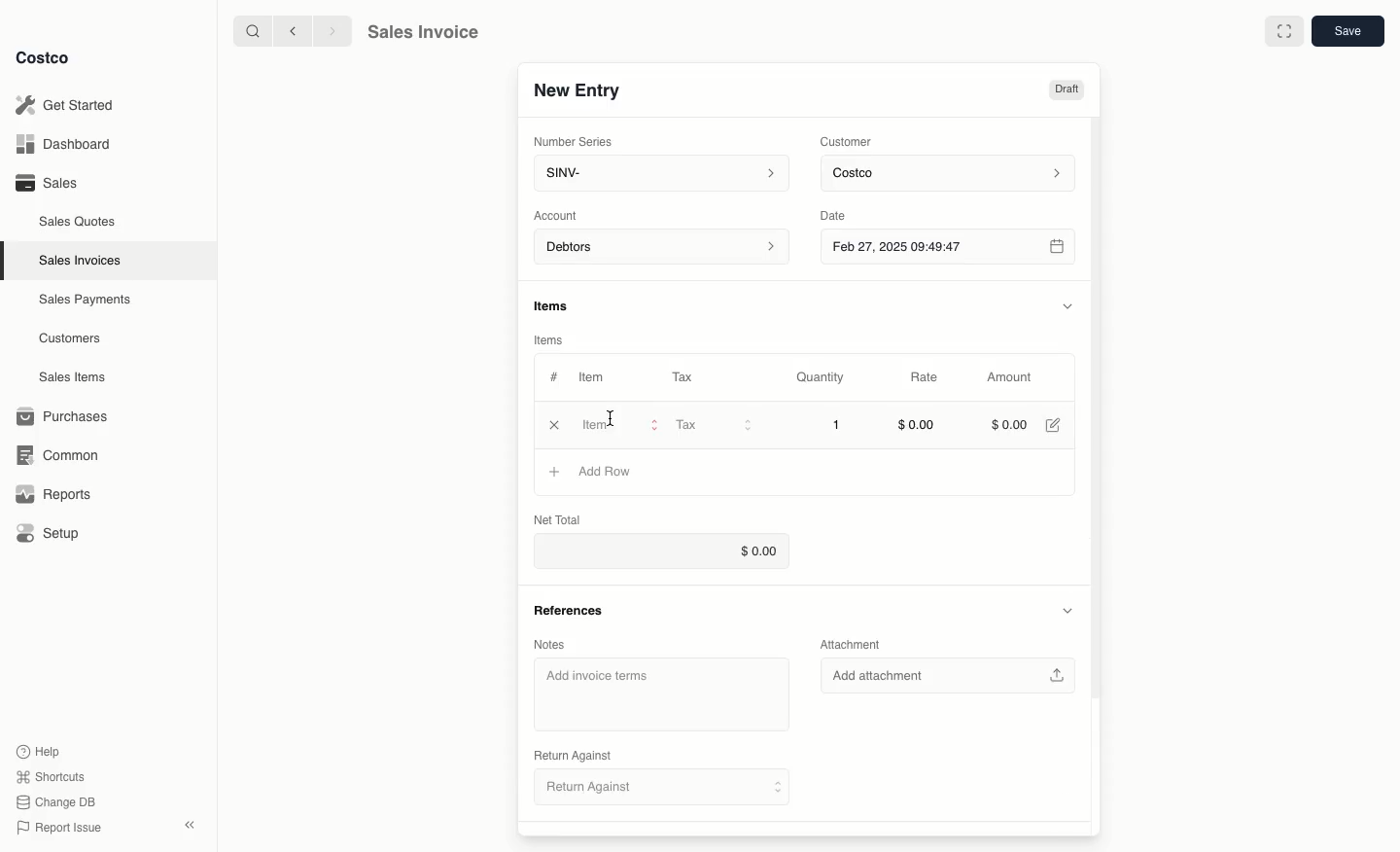  What do you see at coordinates (608, 471) in the screenshot?
I see `‘Add Row` at bounding box center [608, 471].